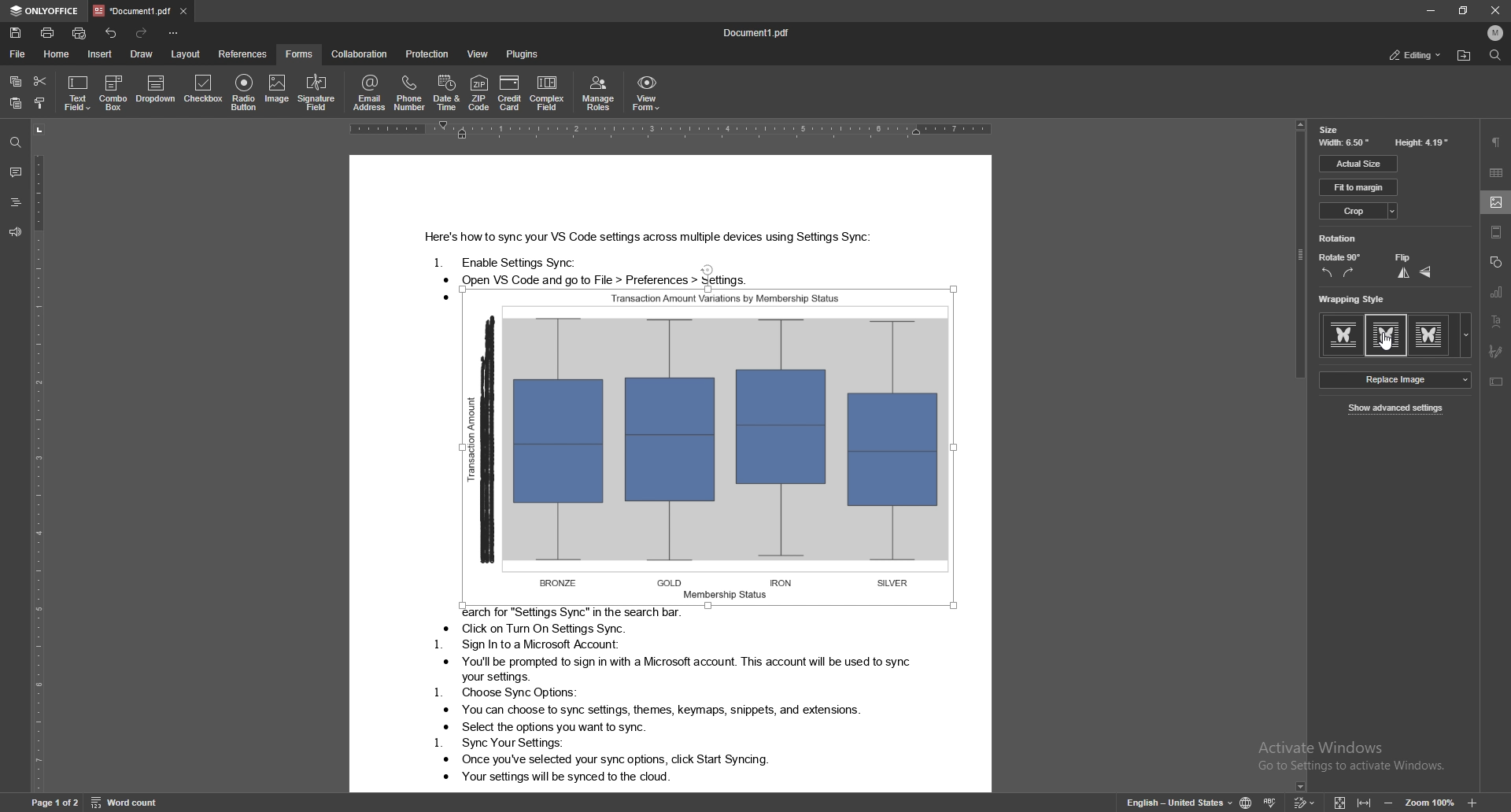  What do you see at coordinates (143, 54) in the screenshot?
I see `draw` at bounding box center [143, 54].